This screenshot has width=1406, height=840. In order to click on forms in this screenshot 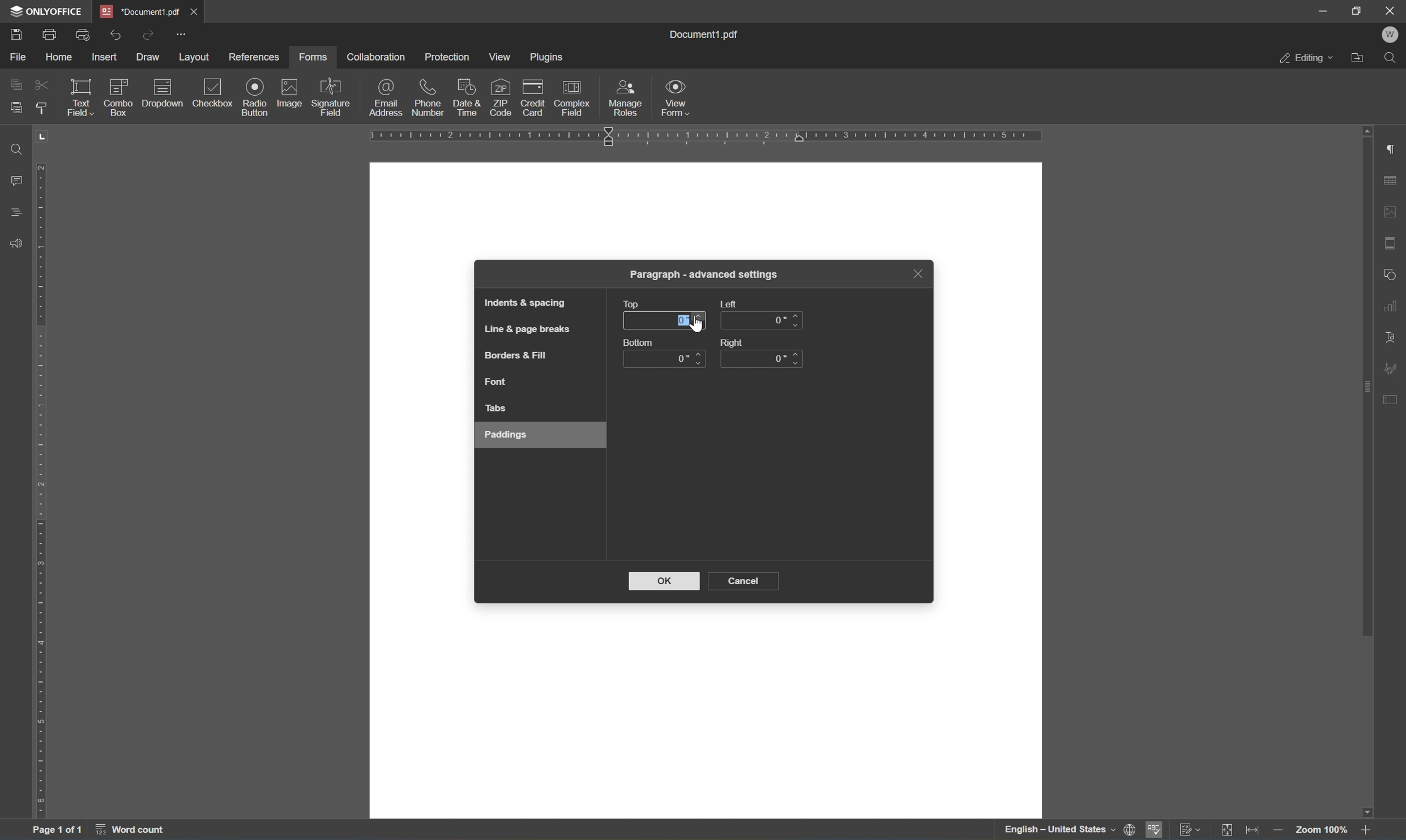, I will do `click(317, 56)`.